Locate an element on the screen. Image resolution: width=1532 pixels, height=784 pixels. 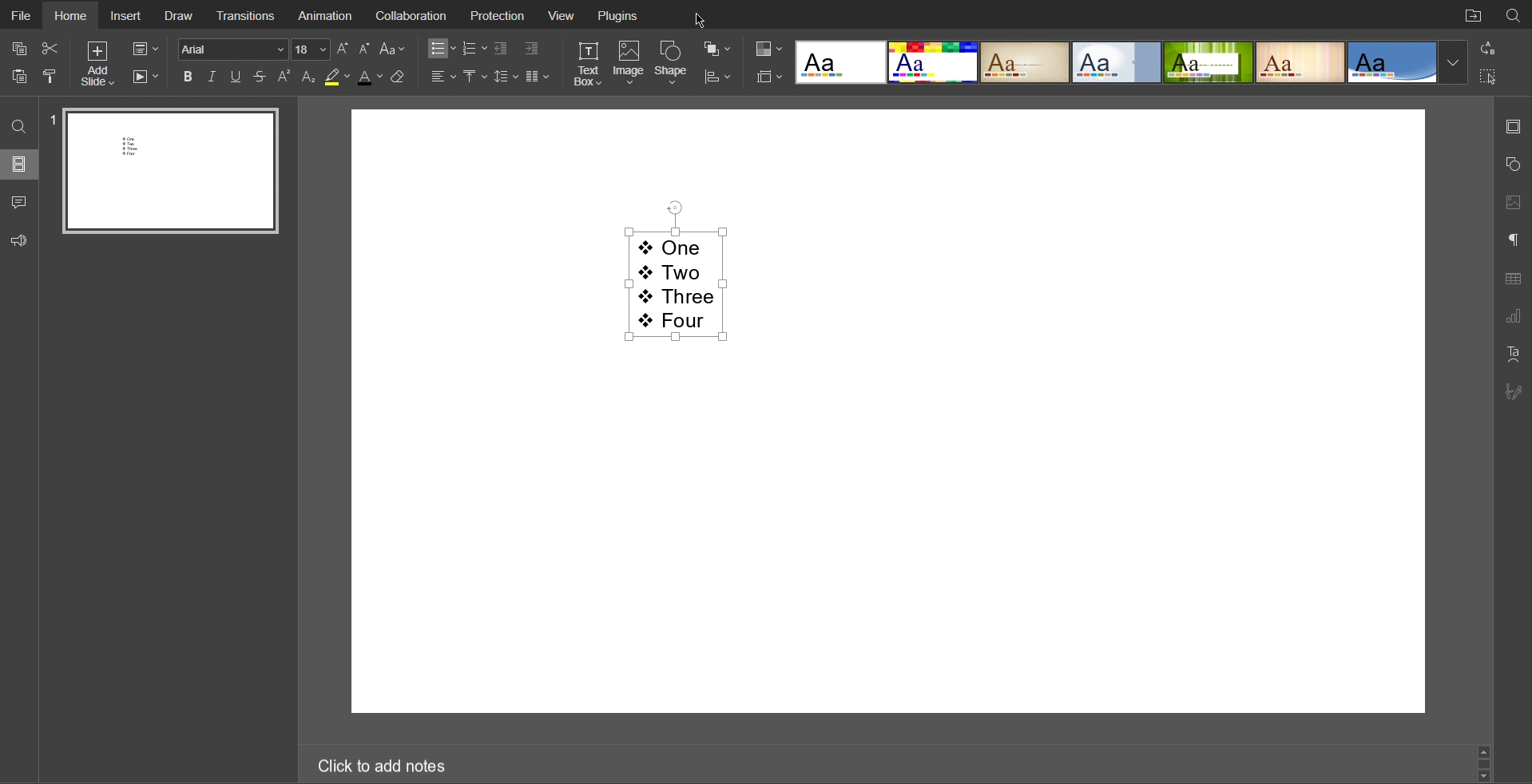
Alignment is located at coordinates (443, 77).